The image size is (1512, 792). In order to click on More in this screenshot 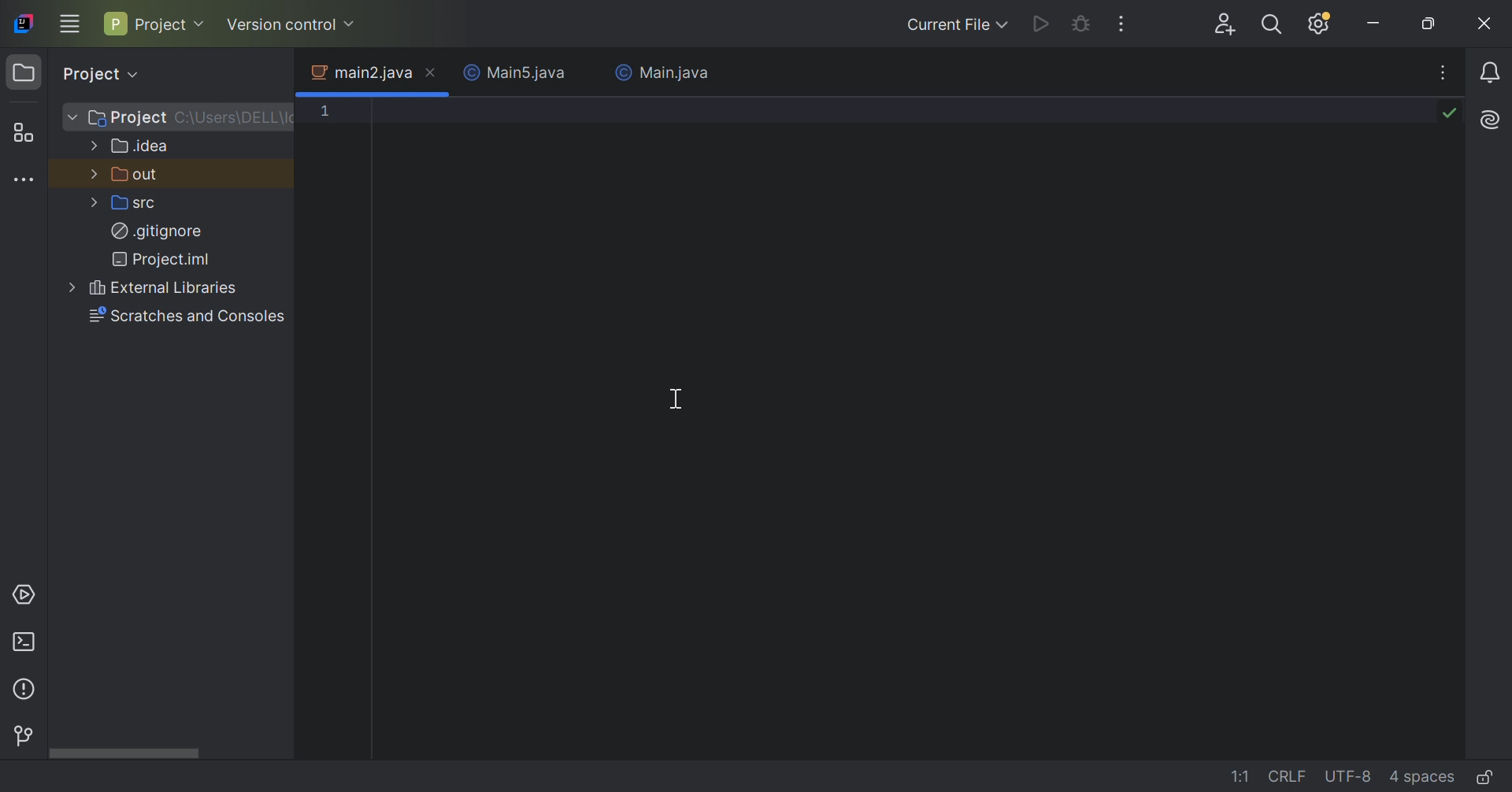, I will do `click(69, 116)`.